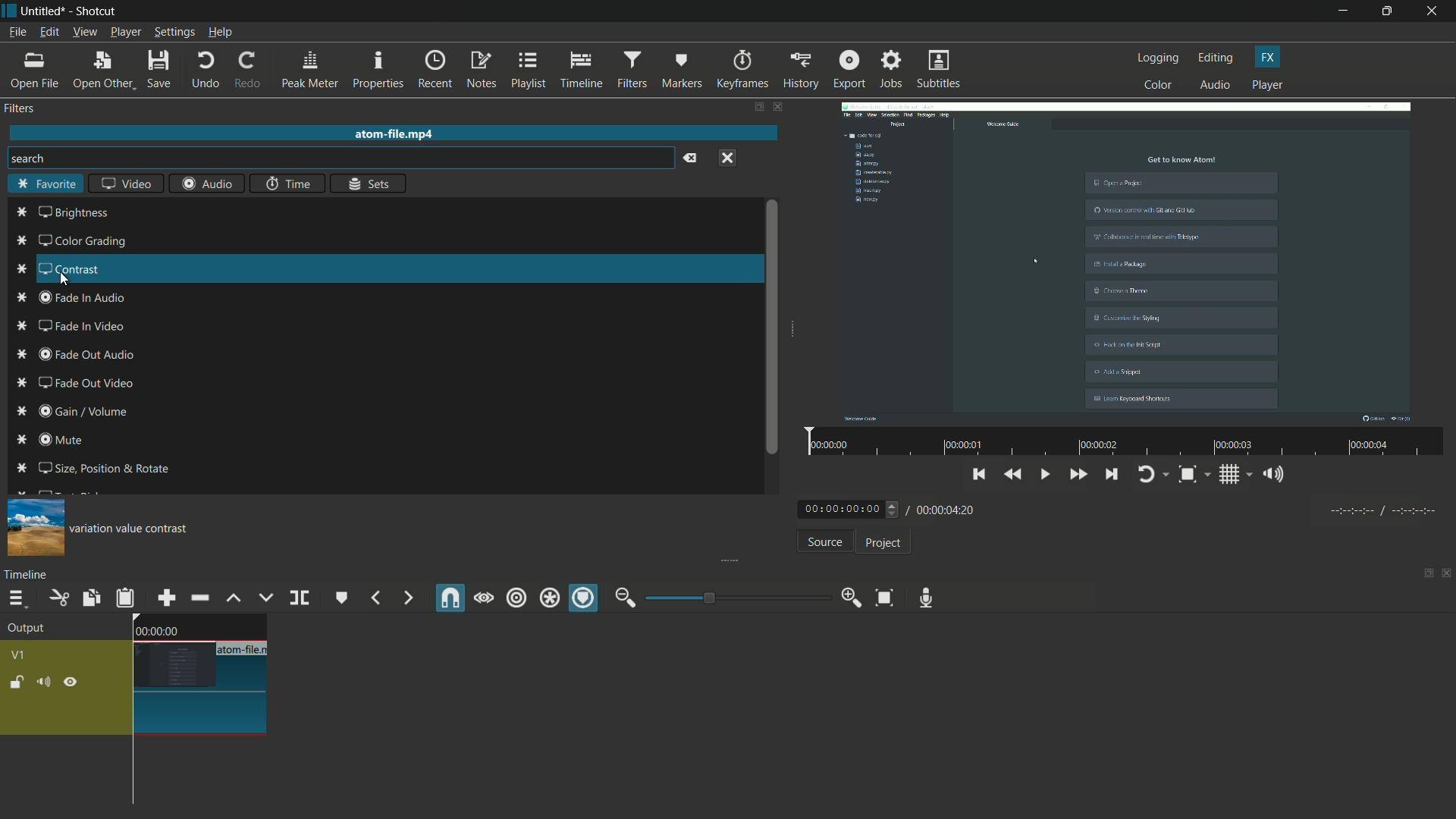 Image resolution: width=1456 pixels, height=819 pixels. Describe the element at coordinates (483, 598) in the screenshot. I see `scrub while dragging` at that location.